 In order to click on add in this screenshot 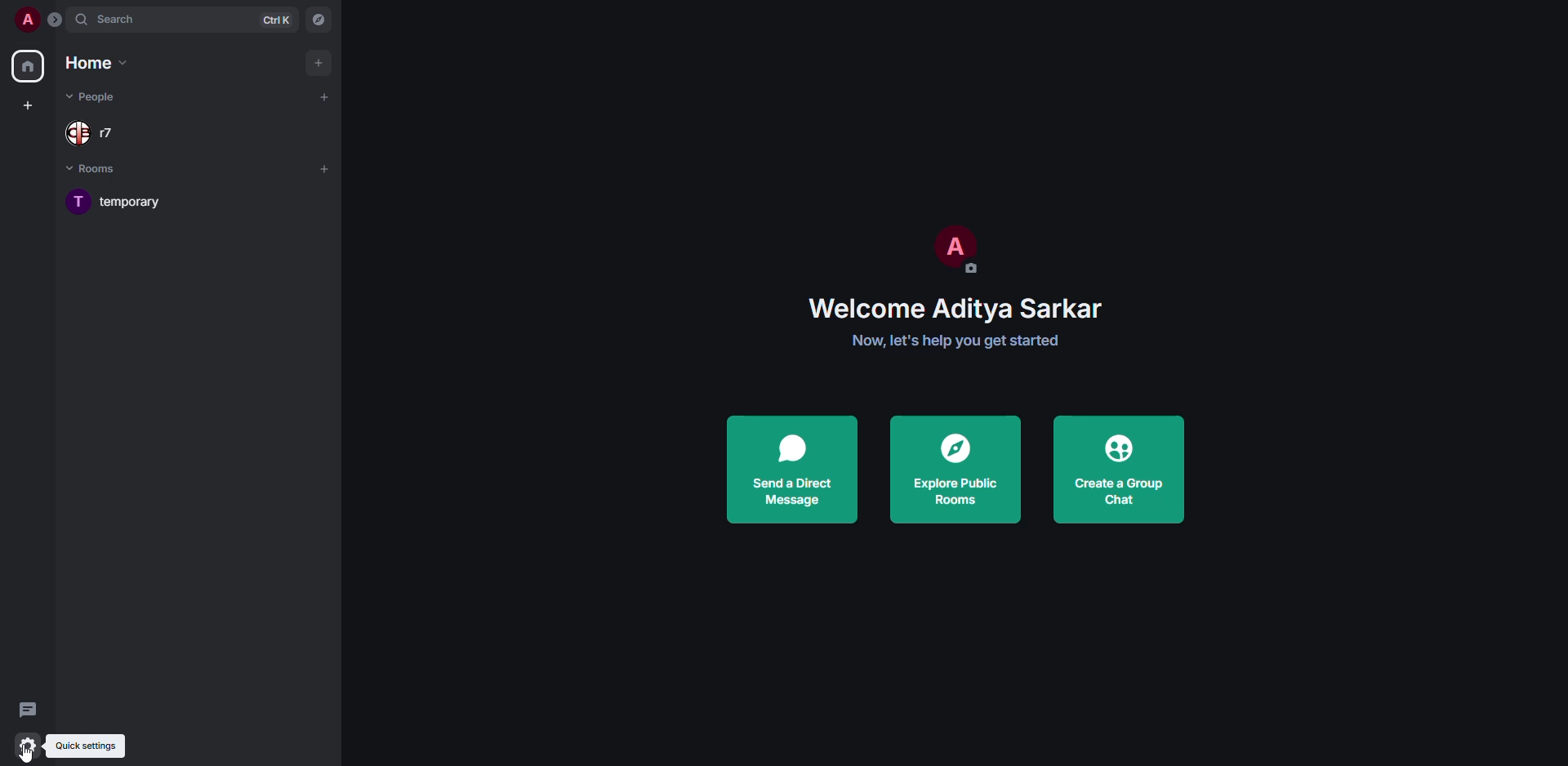, I will do `click(322, 98)`.